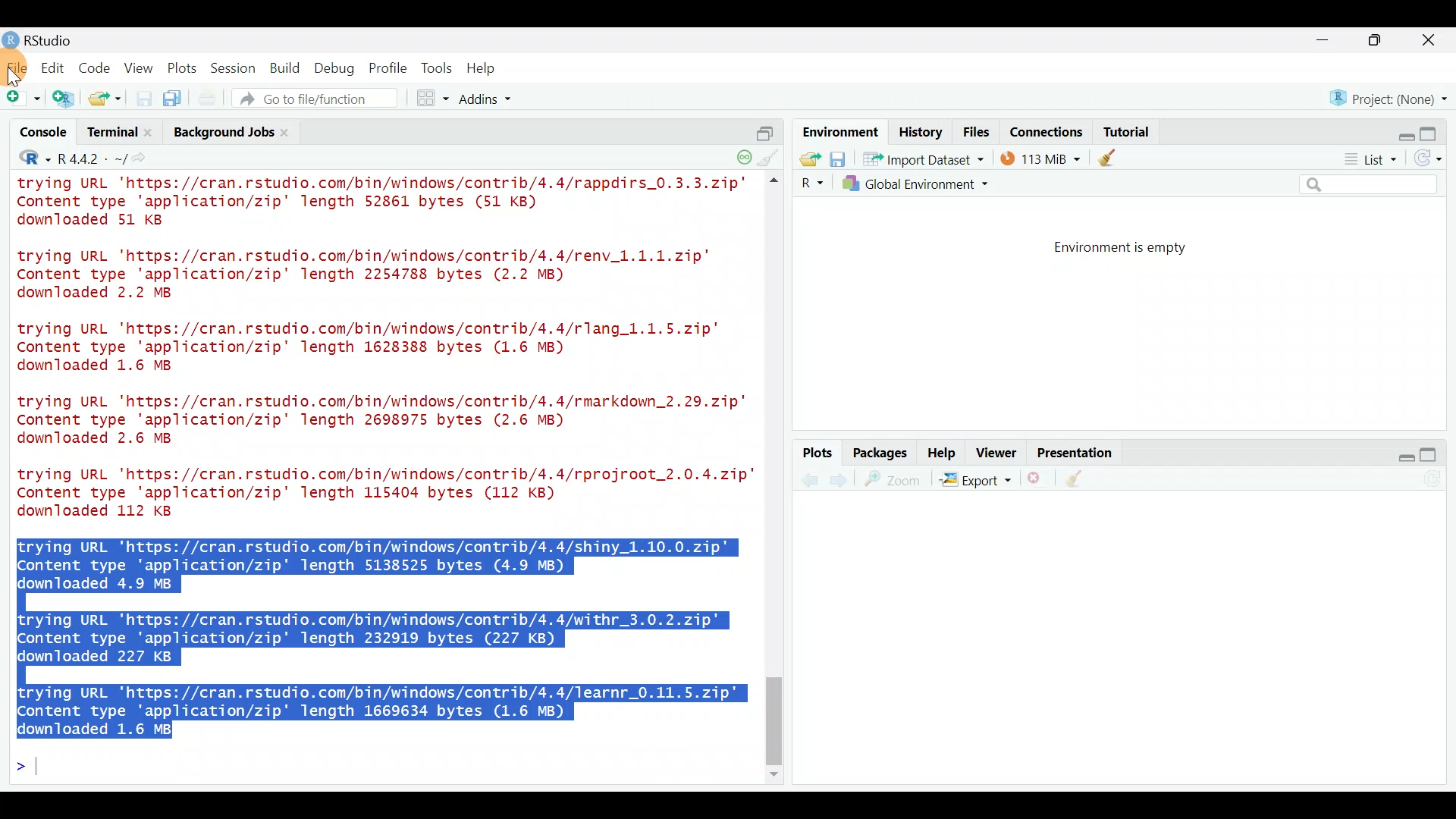 The height and width of the screenshot is (819, 1456). What do you see at coordinates (483, 68) in the screenshot?
I see `Help` at bounding box center [483, 68].